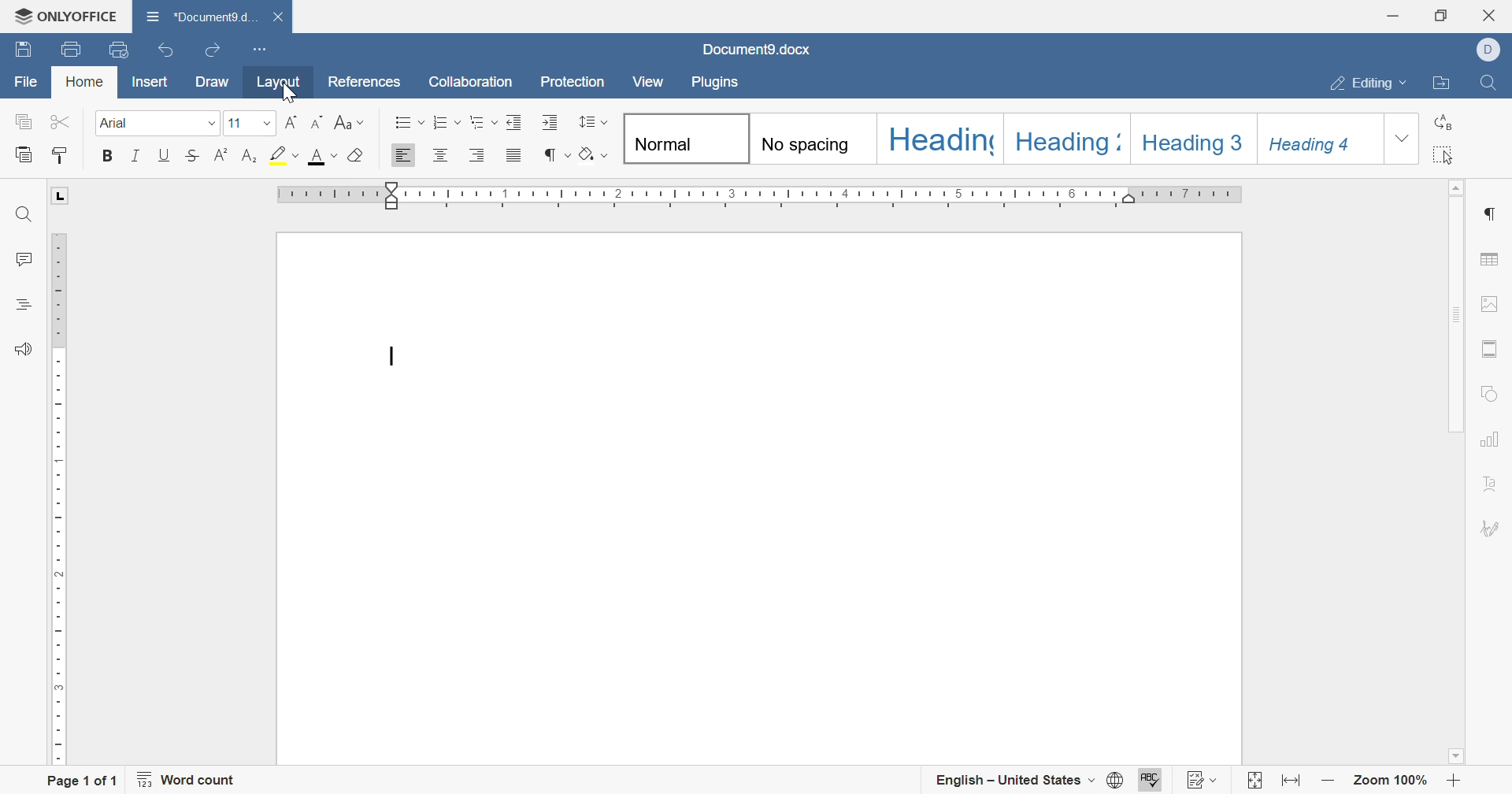 This screenshot has width=1512, height=794. I want to click on font color, so click(322, 155).